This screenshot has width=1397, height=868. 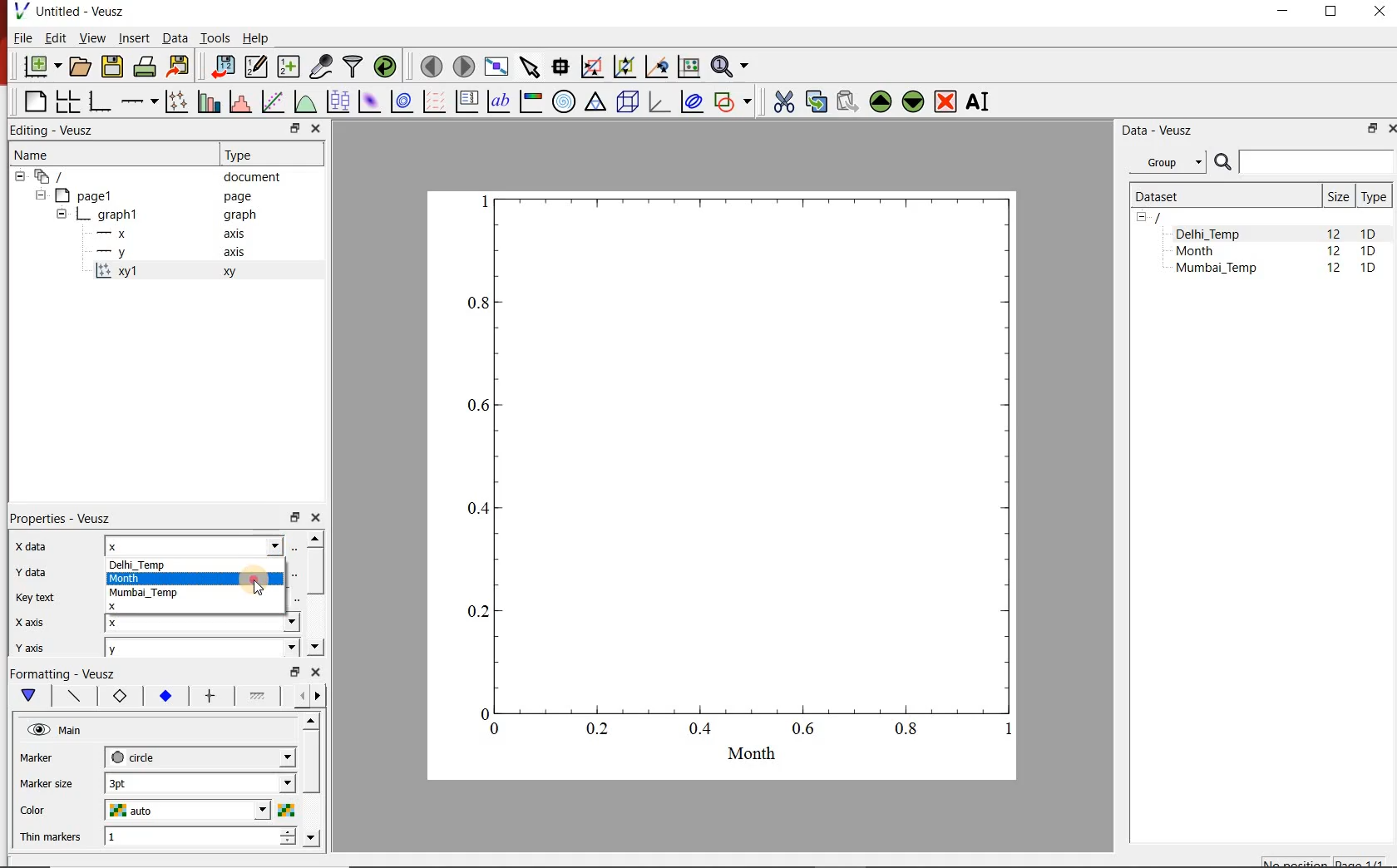 I want to click on month, so click(x=197, y=579).